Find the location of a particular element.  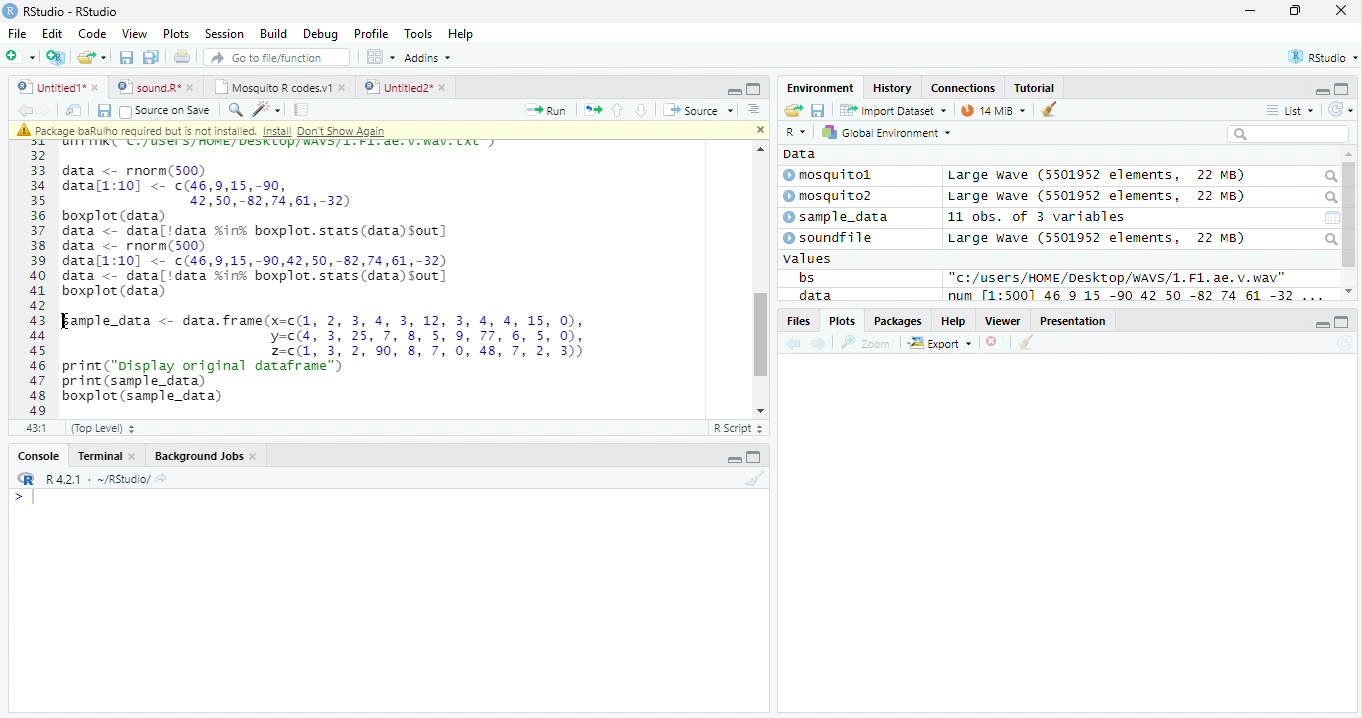

scroll bar is located at coordinates (759, 335).